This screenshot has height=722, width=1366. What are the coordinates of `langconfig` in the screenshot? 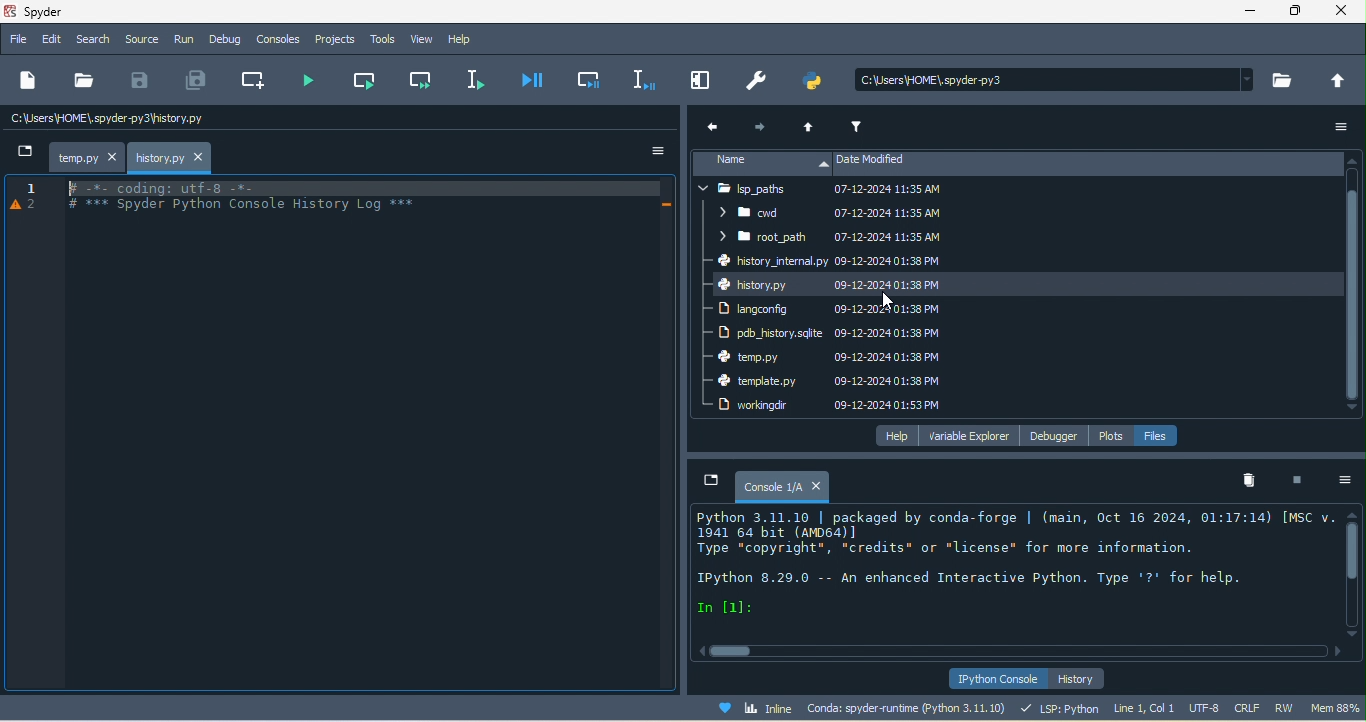 It's located at (765, 311).